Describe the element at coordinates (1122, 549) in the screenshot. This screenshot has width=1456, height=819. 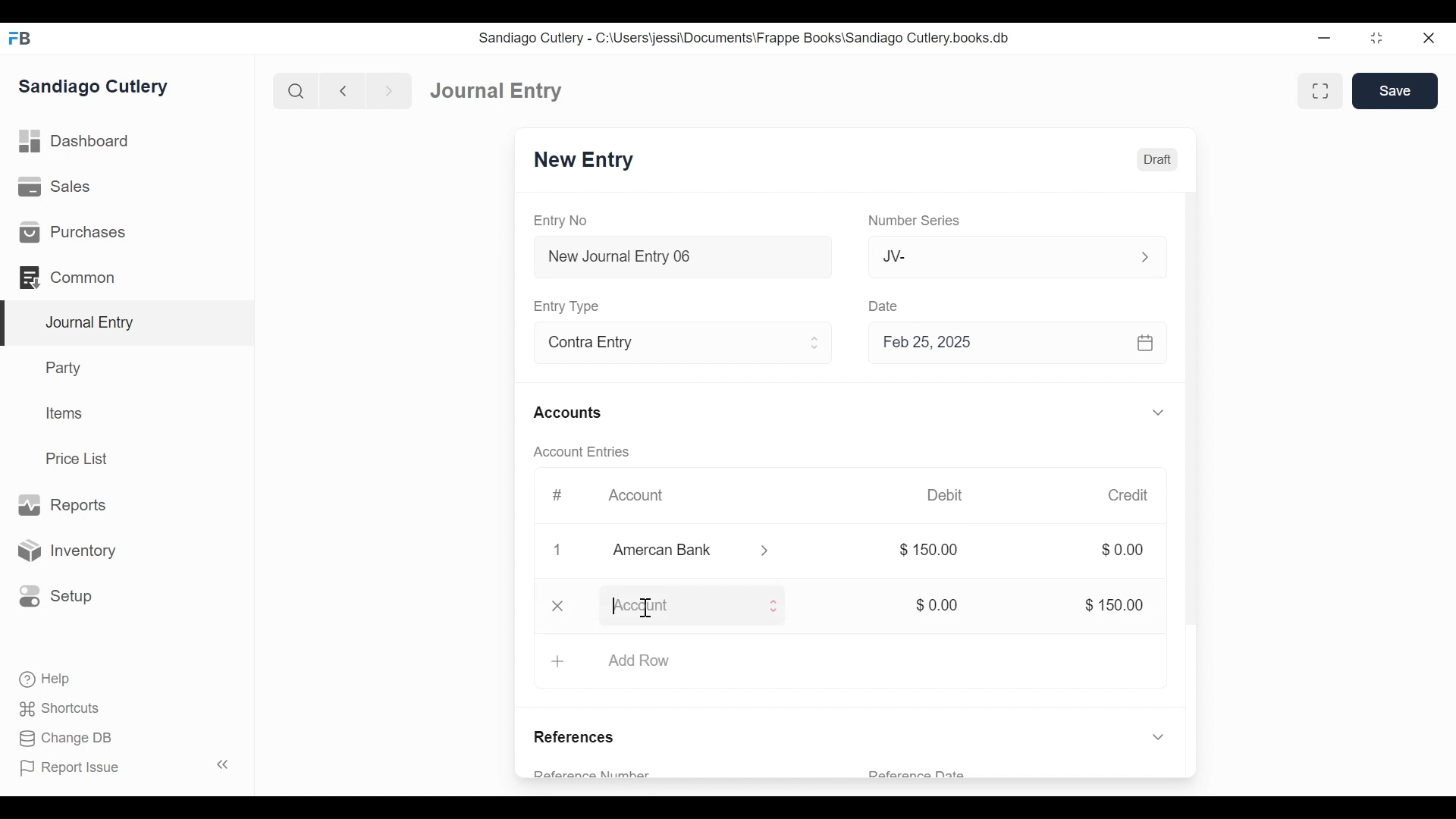
I see `$0.00` at that location.